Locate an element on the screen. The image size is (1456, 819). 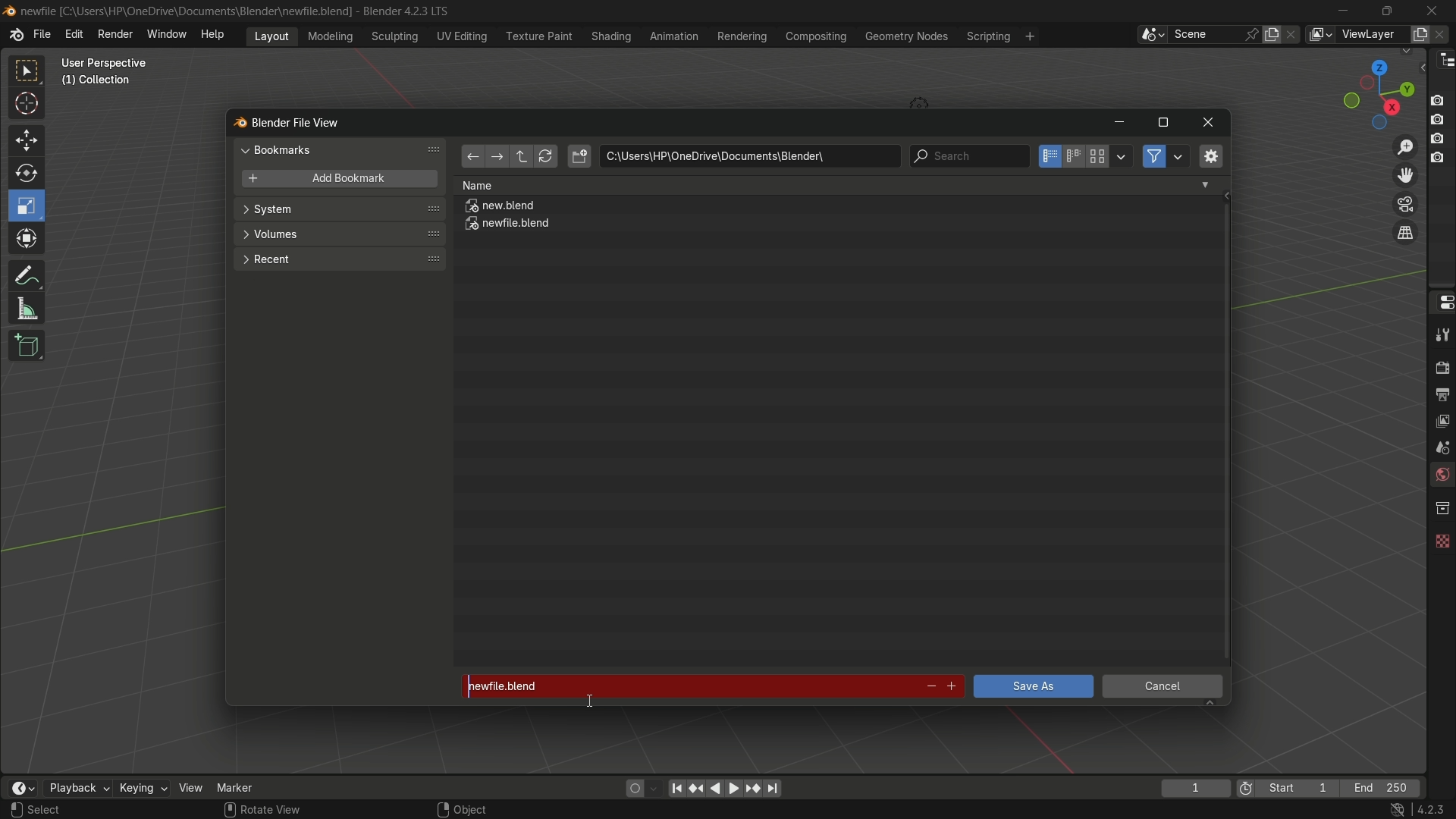
filter settings is located at coordinates (1179, 156).